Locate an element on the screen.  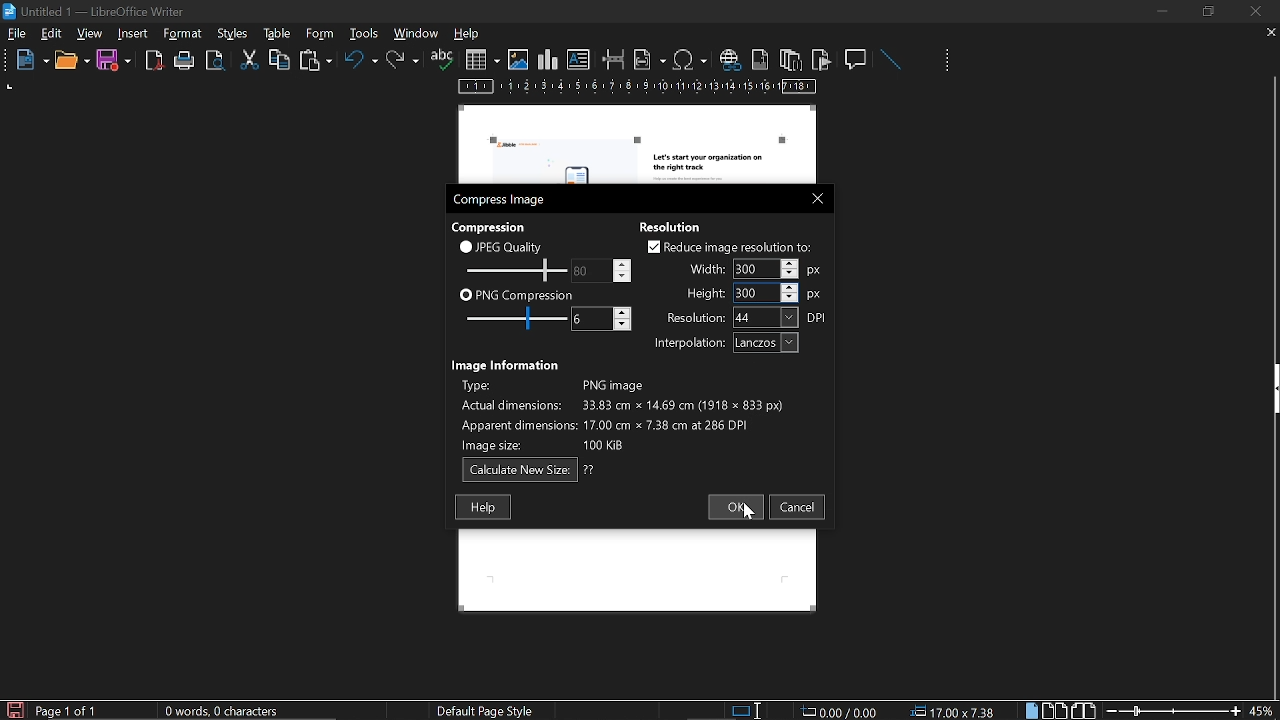
copy is located at coordinates (279, 59).